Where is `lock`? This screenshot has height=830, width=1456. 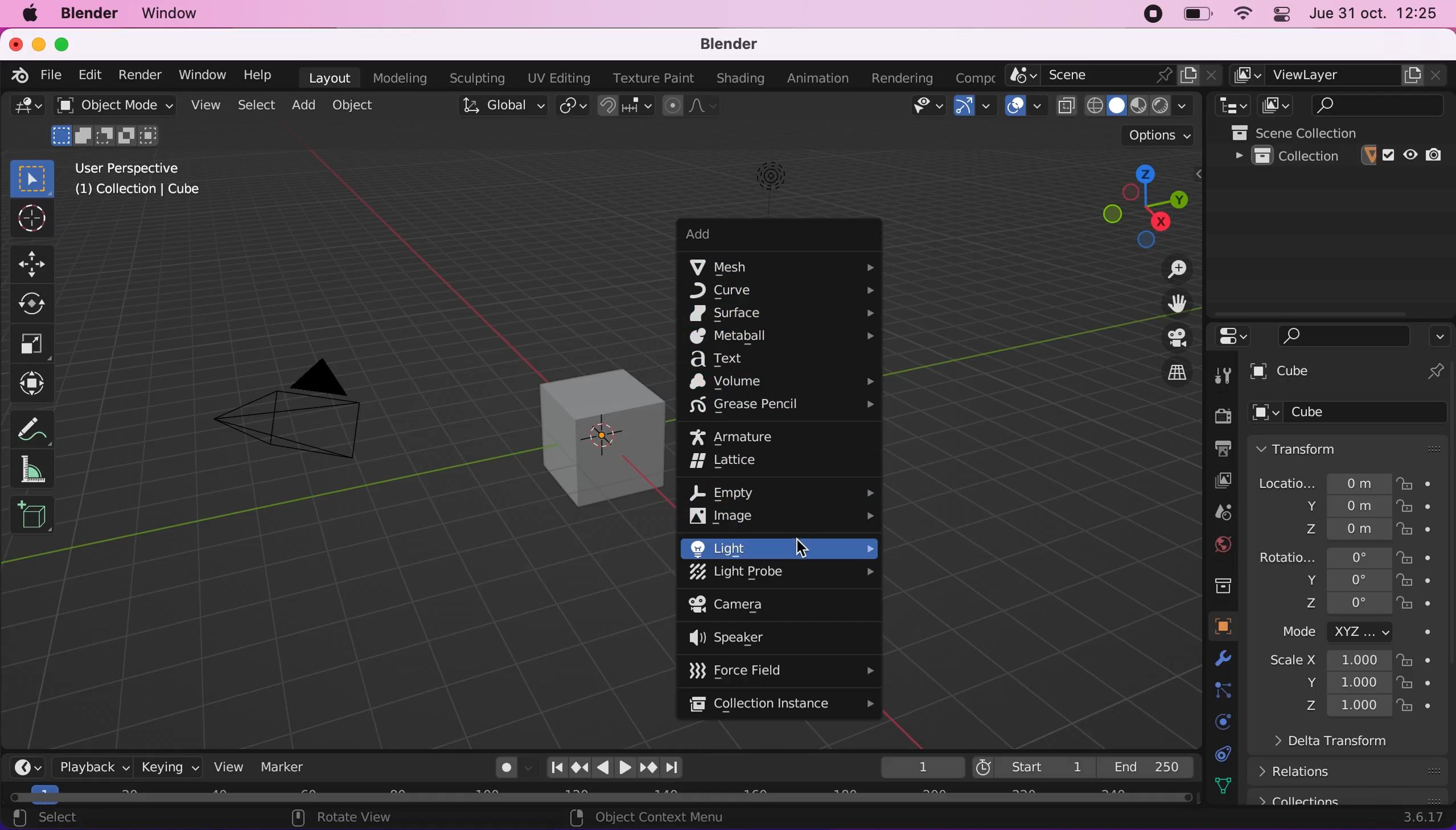 lock is located at coordinates (1425, 685).